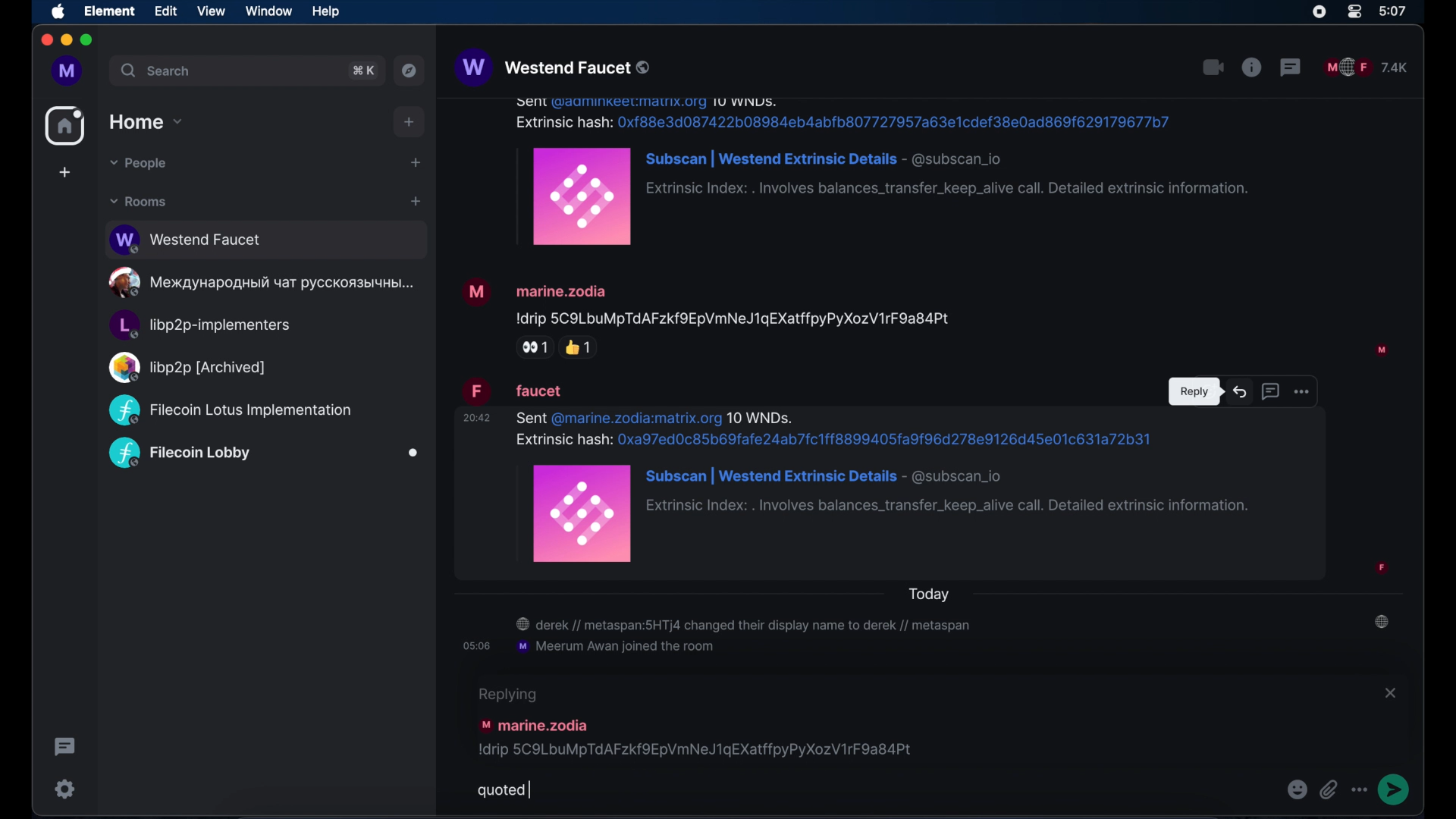  What do you see at coordinates (363, 71) in the screenshot?
I see `search shortcut` at bounding box center [363, 71].